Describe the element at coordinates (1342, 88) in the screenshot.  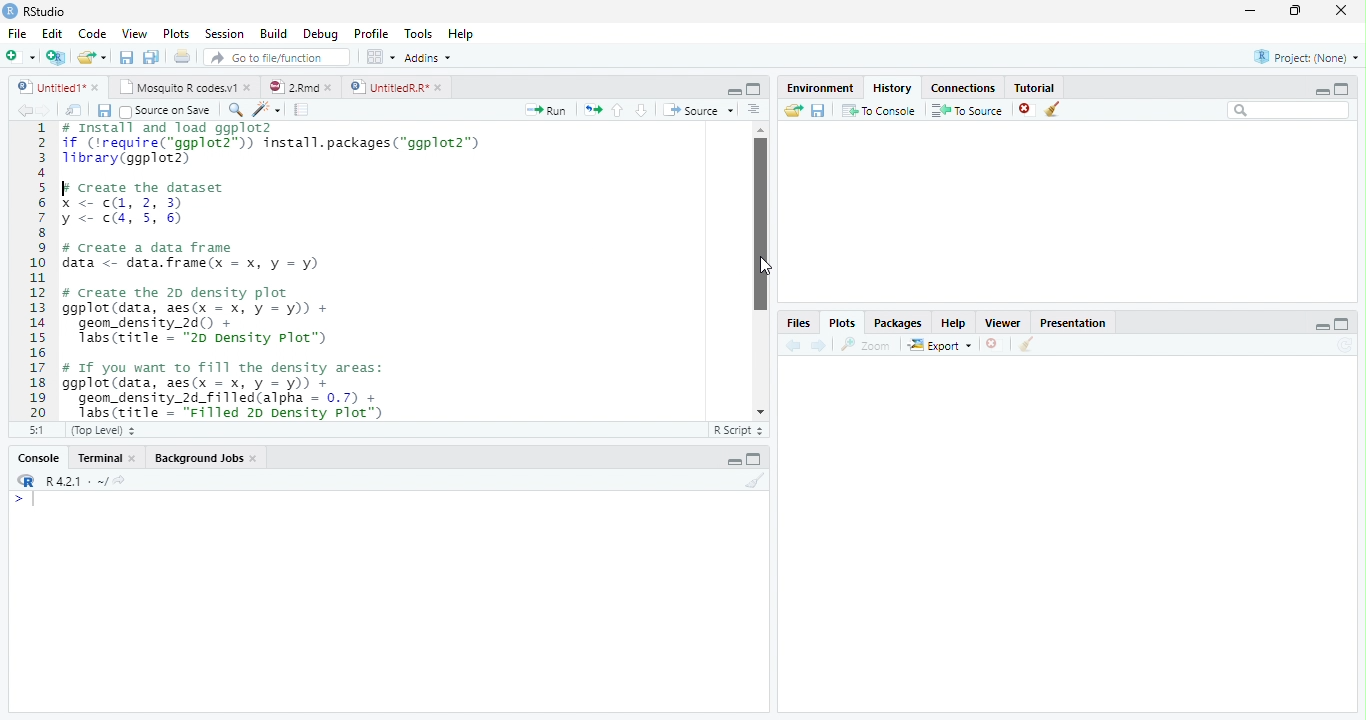
I see `maximize` at that location.